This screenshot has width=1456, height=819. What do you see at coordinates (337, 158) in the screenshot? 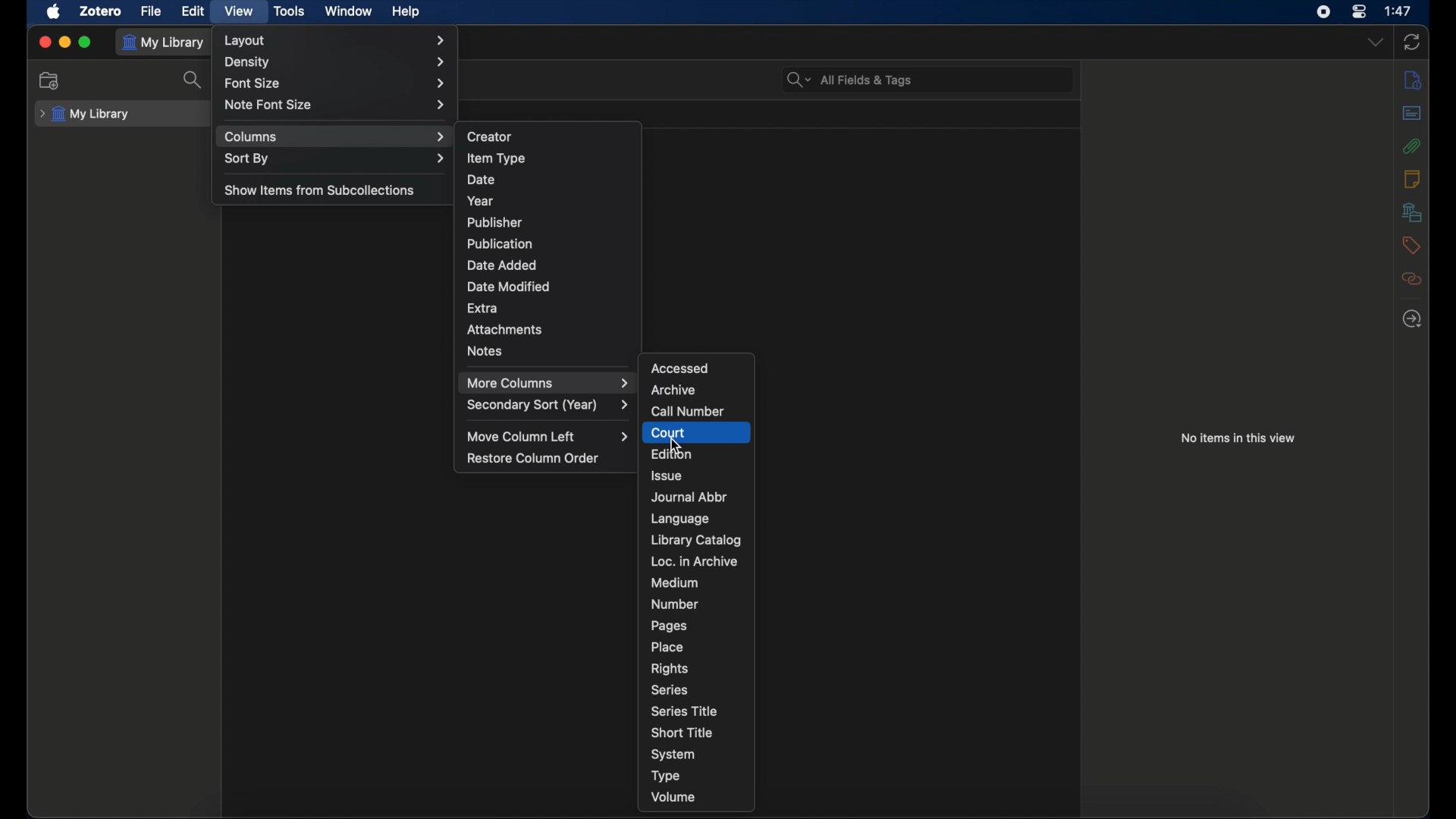
I see `sort by` at bounding box center [337, 158].